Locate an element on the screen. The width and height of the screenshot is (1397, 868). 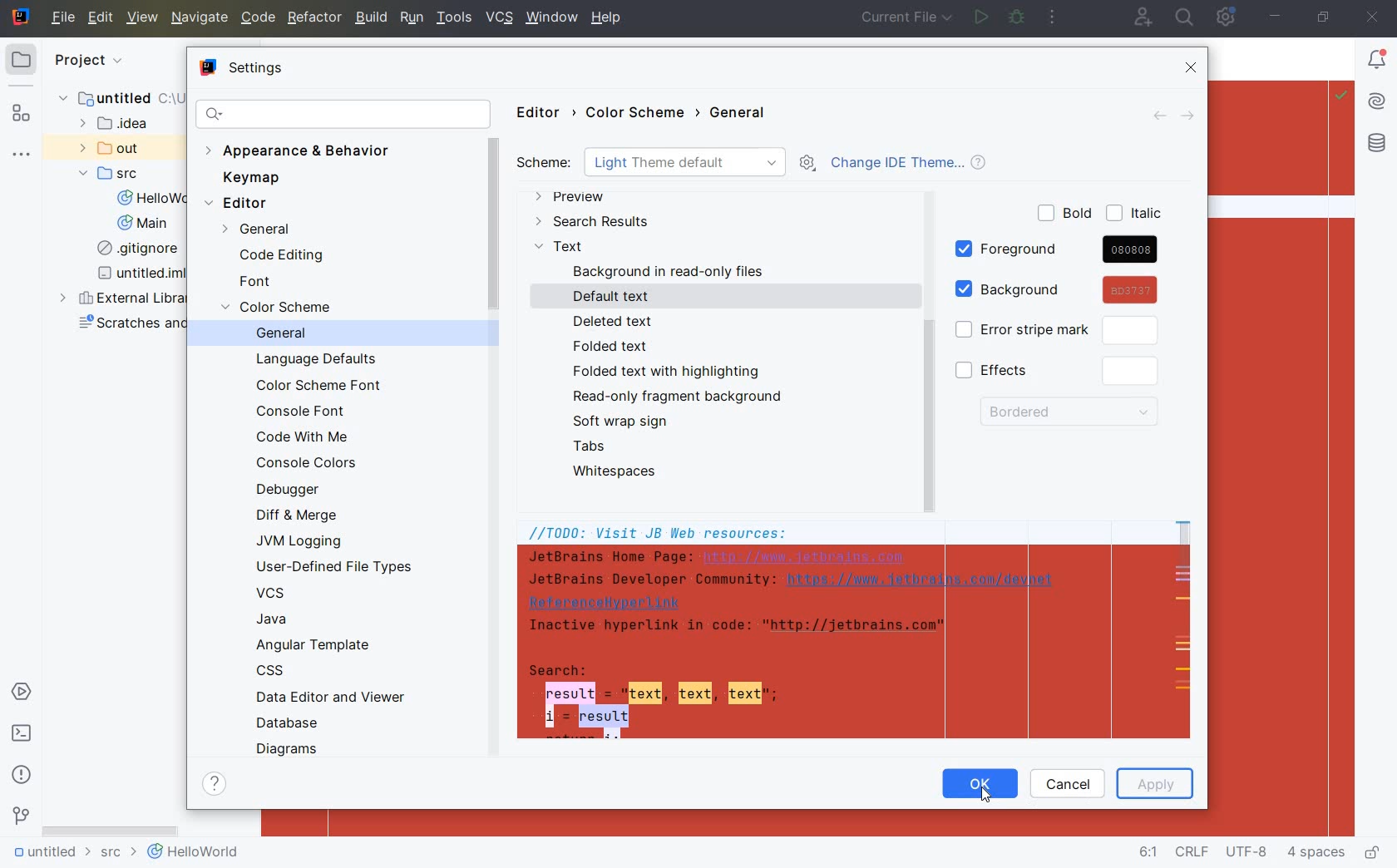
BACKGROUND is located at coordinates (1034, 290).